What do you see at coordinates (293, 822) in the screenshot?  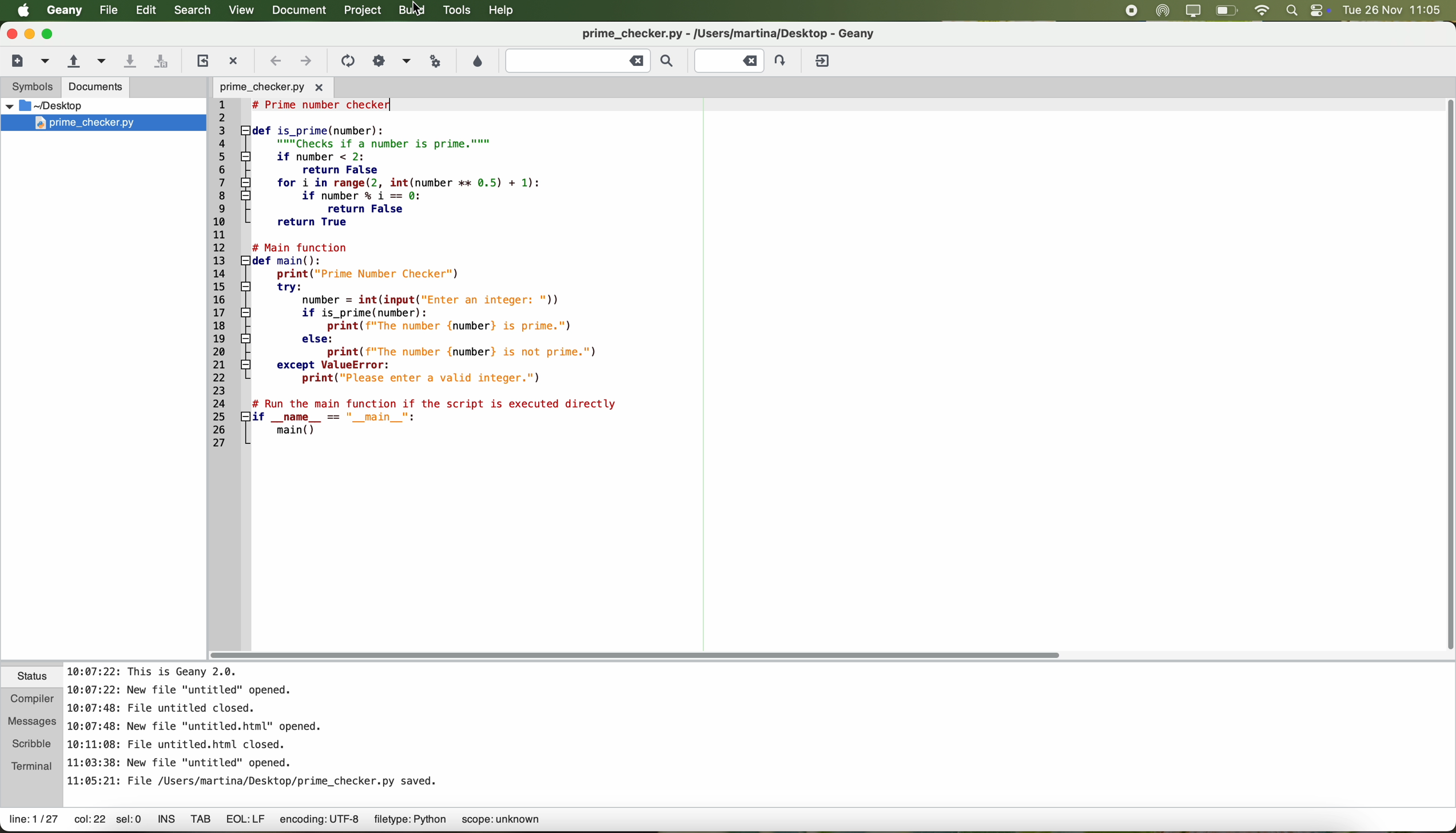 I see `data` at bounding box center [293, 822].